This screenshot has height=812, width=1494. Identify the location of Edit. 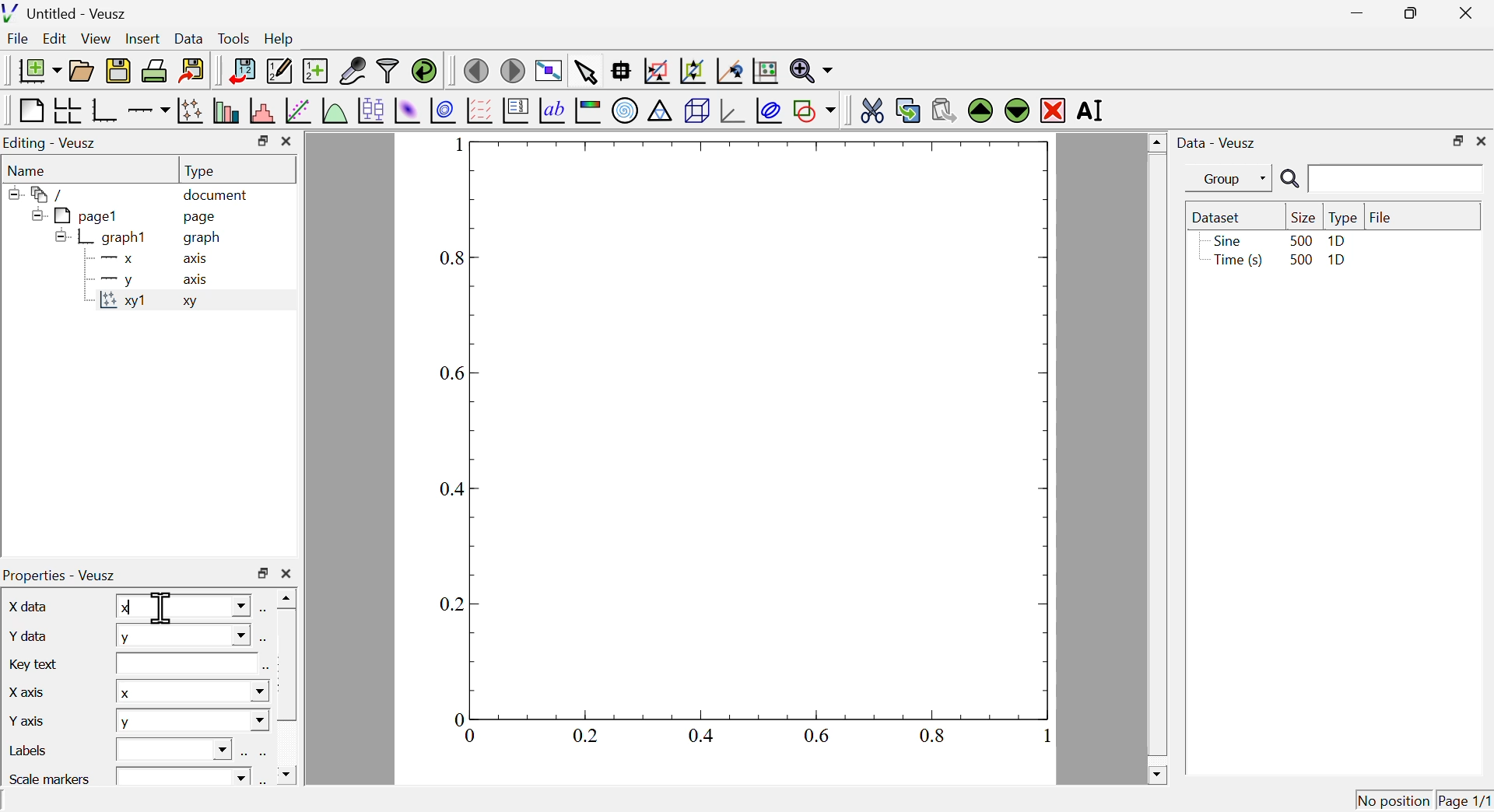
(55, 40).